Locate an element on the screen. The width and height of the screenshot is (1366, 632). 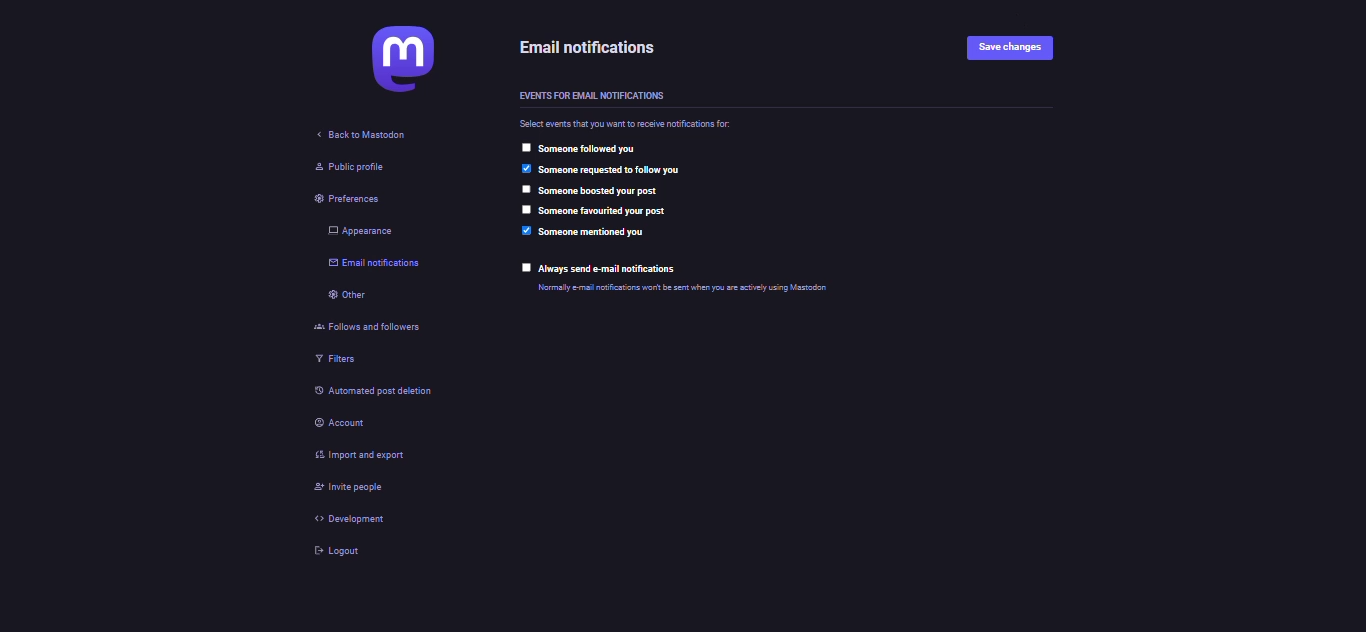
someone boosted your profile is located at coordinates (600, 191).